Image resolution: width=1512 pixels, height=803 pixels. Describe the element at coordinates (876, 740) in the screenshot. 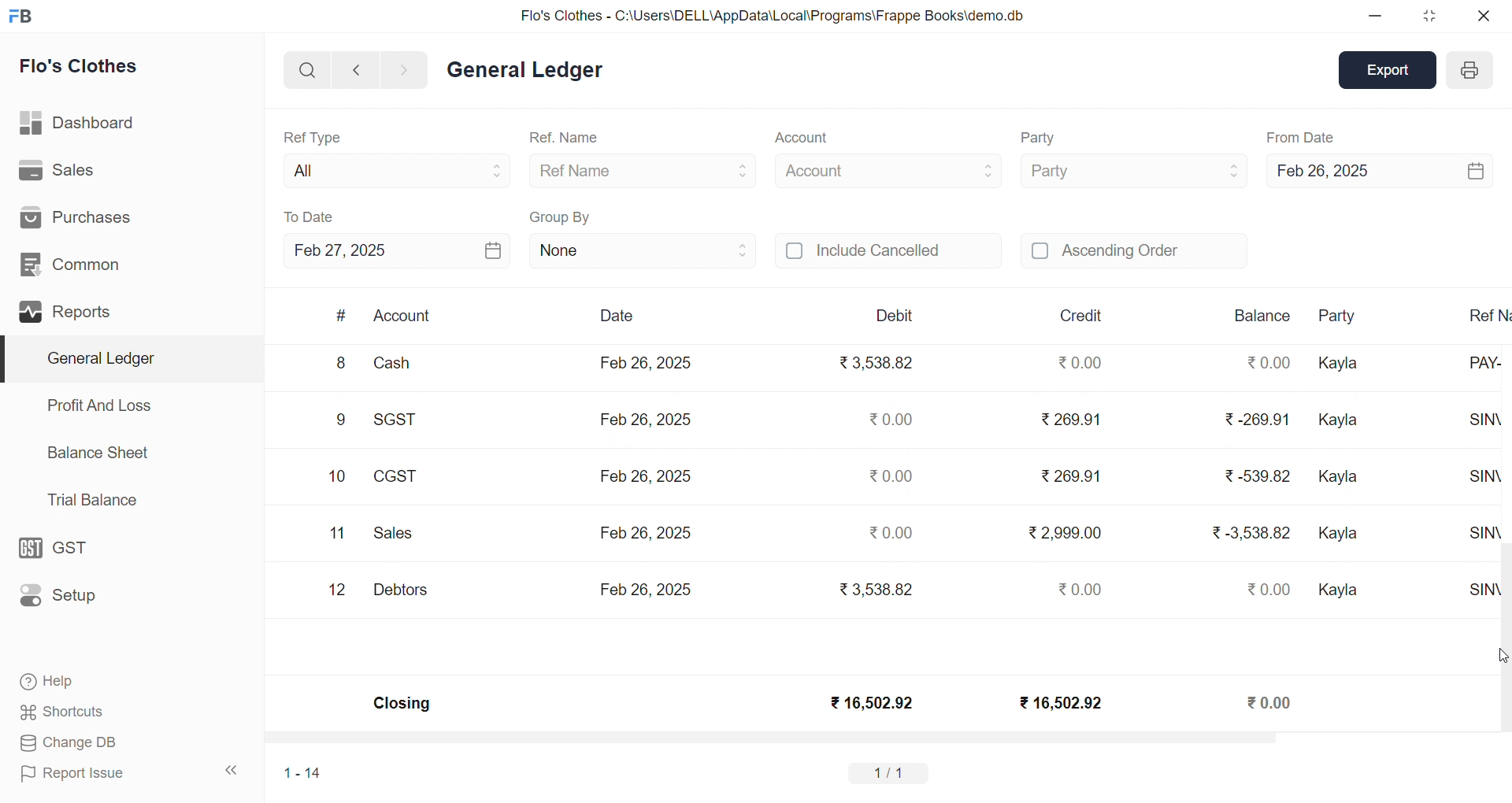

I see `HORIZONTAL SCROLL BAR` at that location.